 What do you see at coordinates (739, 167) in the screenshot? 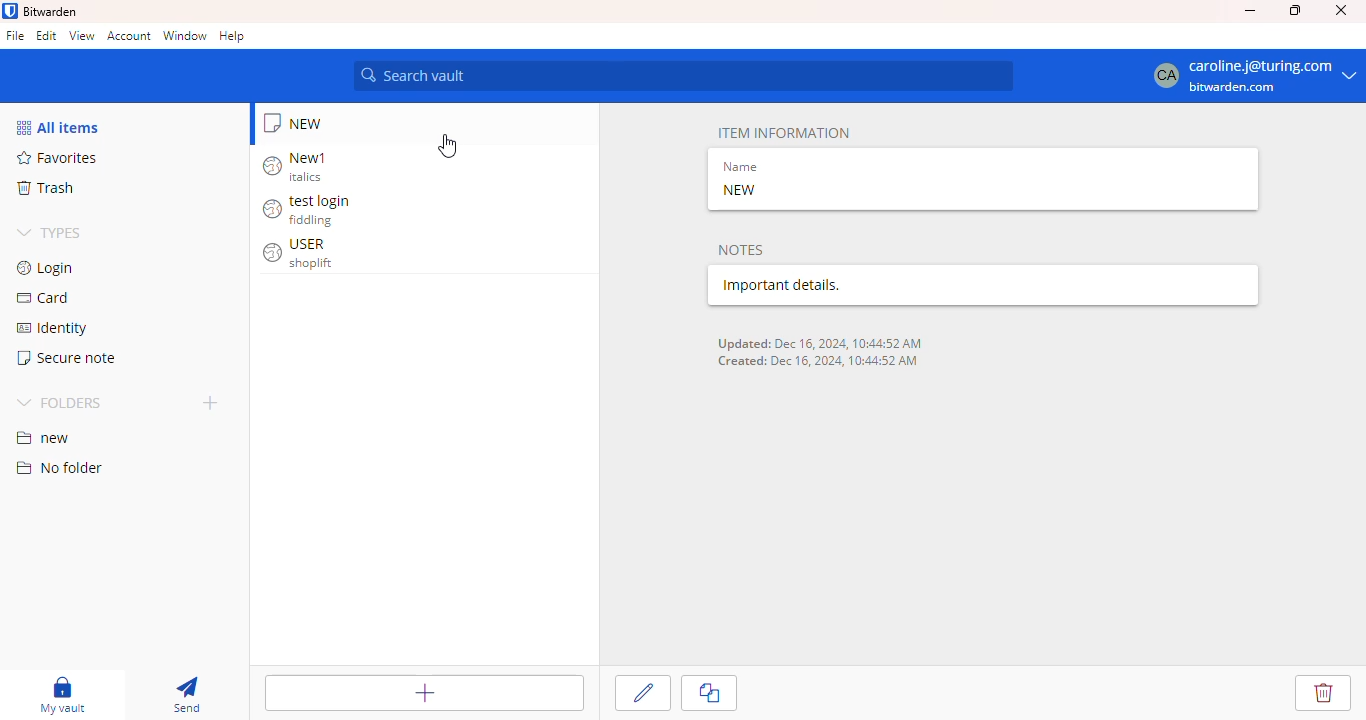
I see `name` at bounding box center [739, 167].